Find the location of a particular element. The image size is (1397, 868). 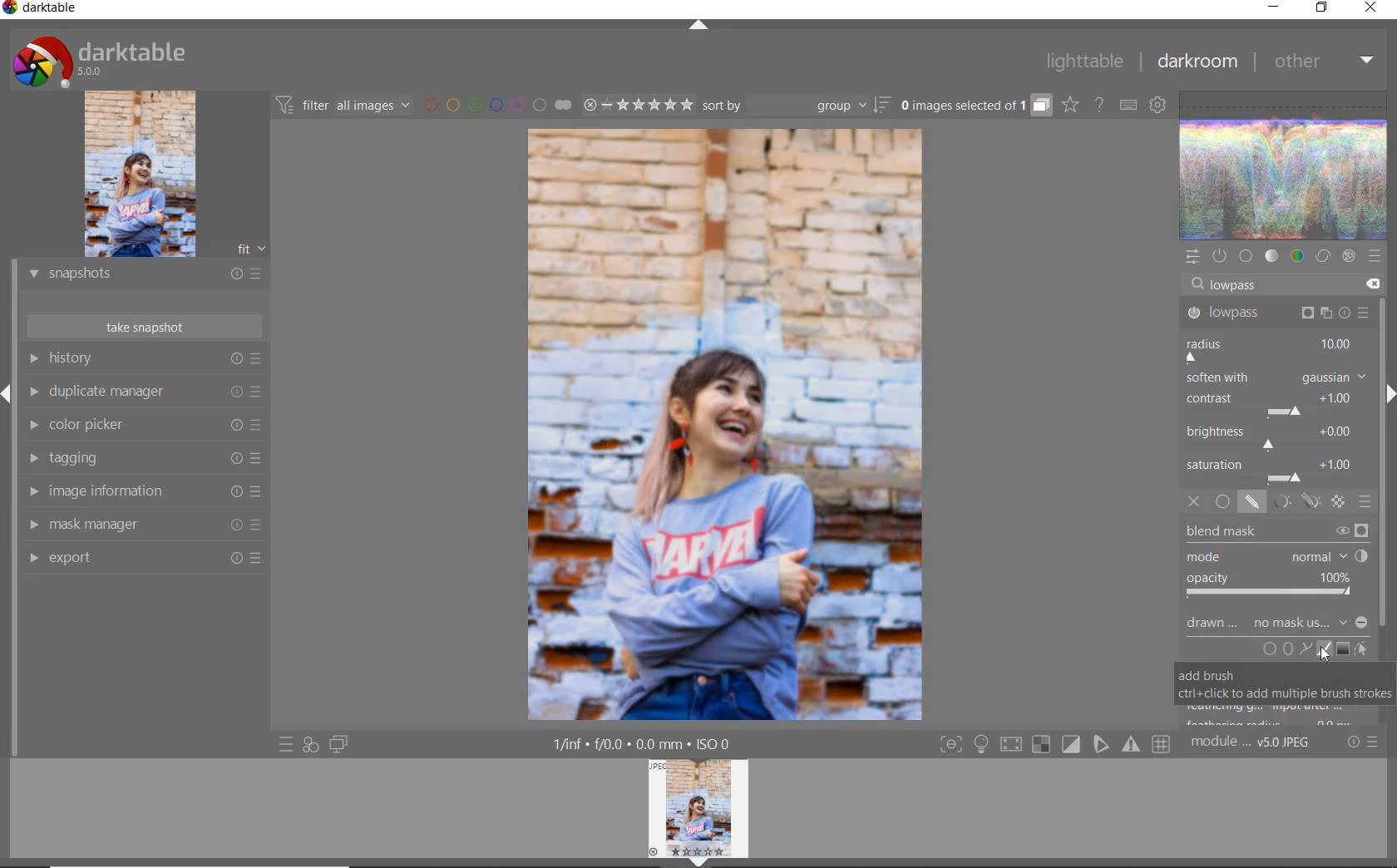

duplicate manager is located at coordinates (146, 393).